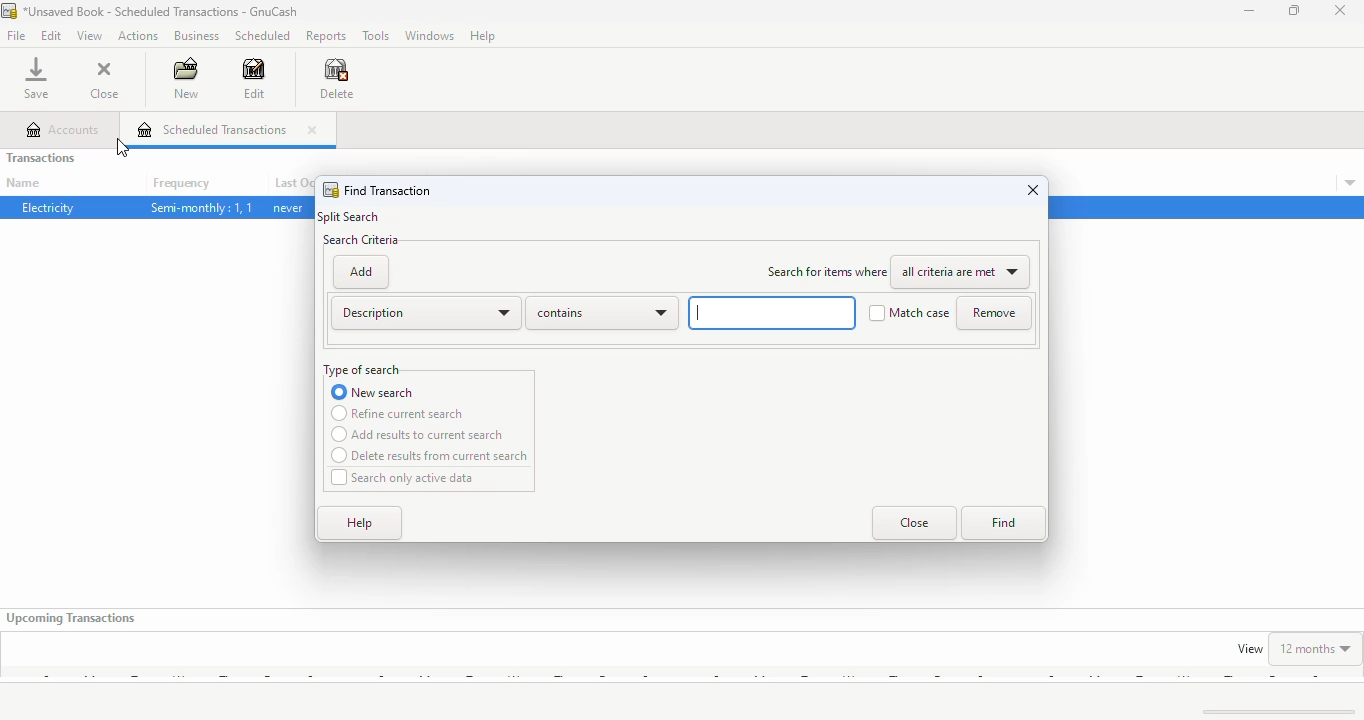 The height and width of the screenshot is (720, 1364). Describe the element at coordinates (1249, 10) in the screenshot. I see `minimize` at that location.